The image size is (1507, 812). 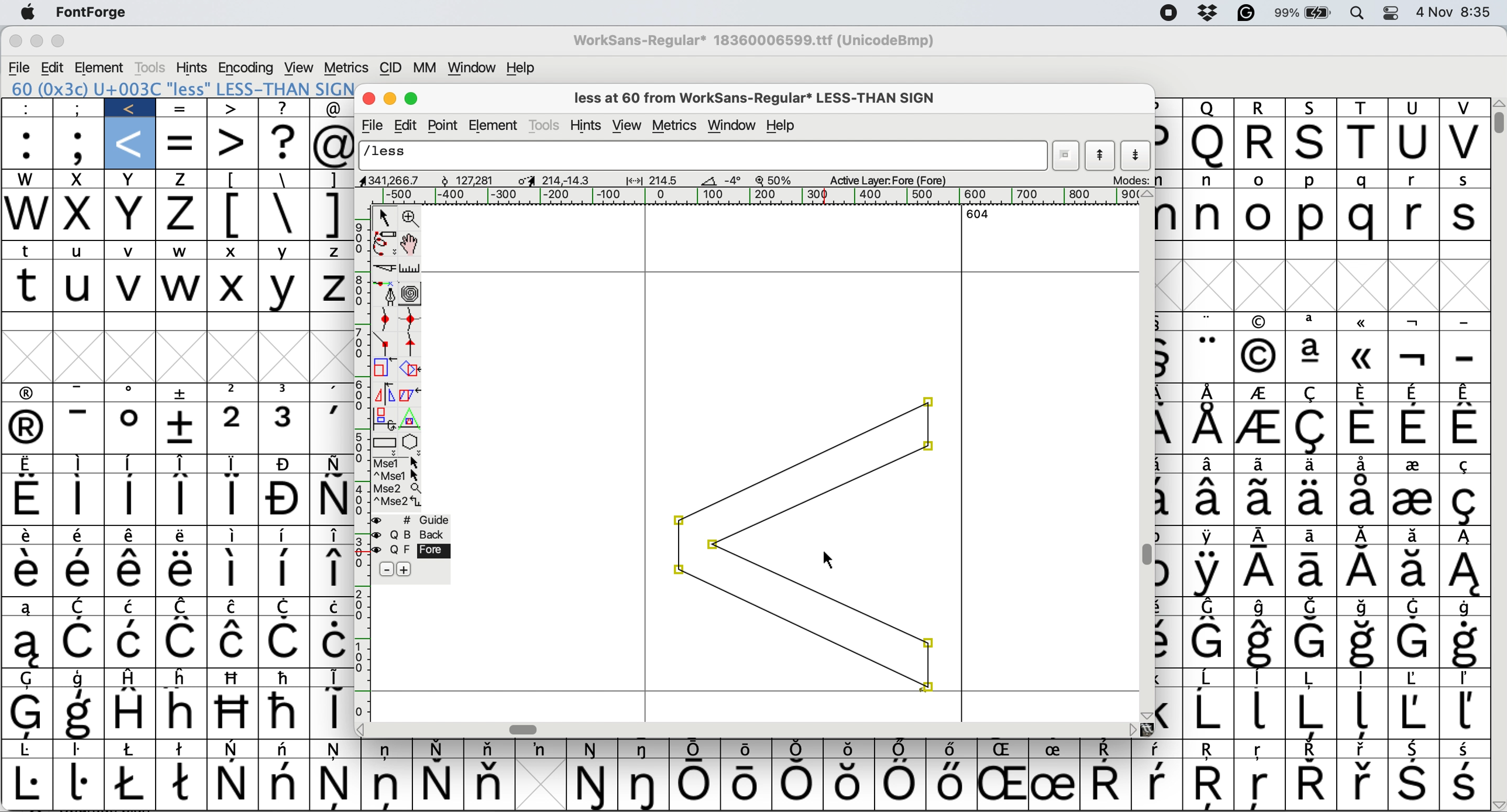 I want to click on Z, so click(x=331, y=251).